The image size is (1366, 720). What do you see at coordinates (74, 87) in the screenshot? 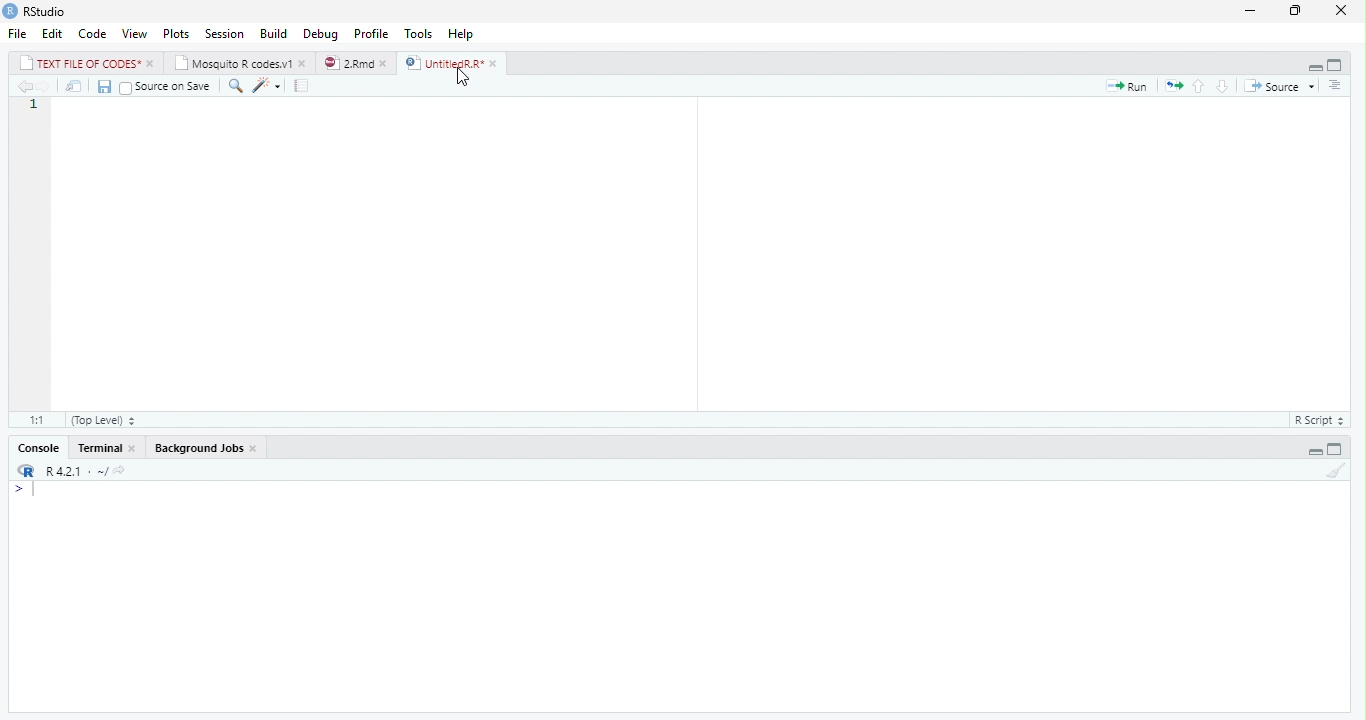
I see `Open in new window` at bounding box center [74, 87].